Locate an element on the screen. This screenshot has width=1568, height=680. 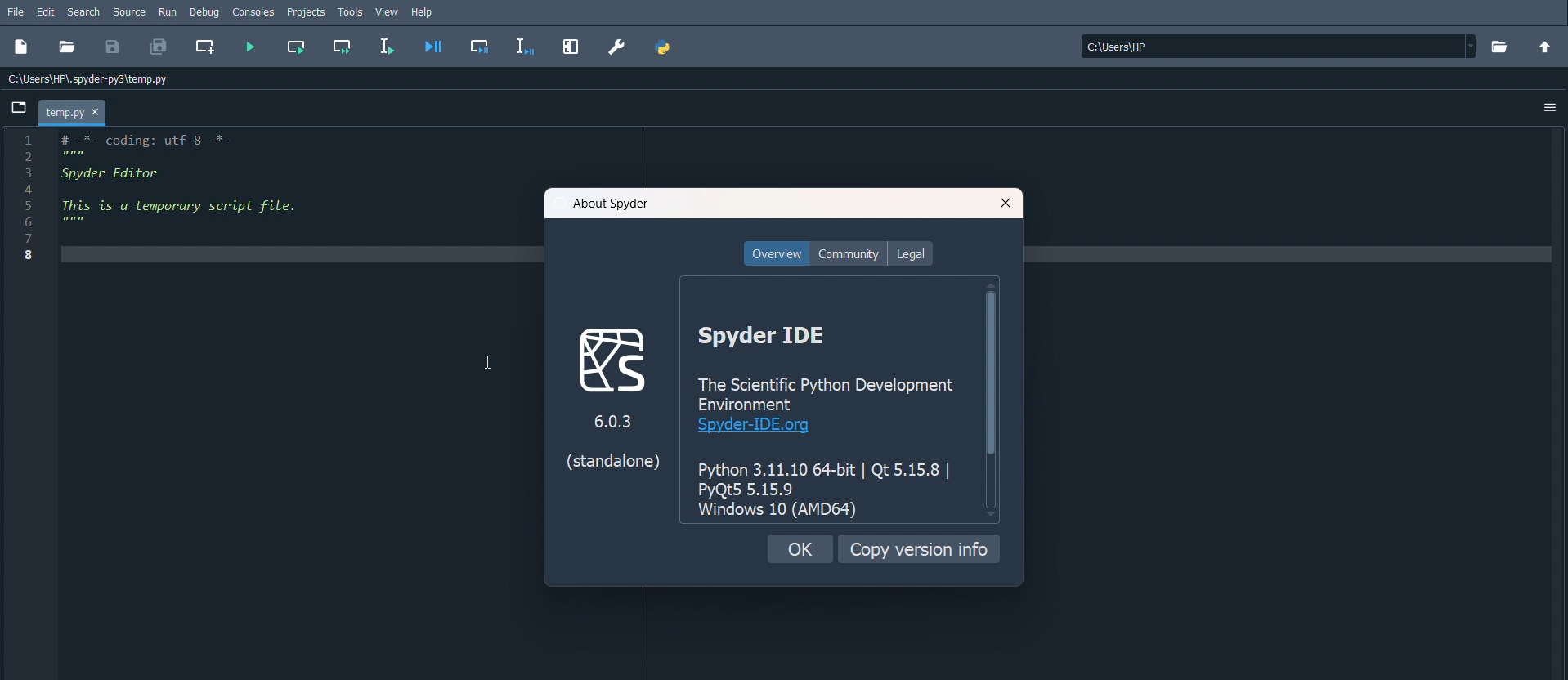
Cursor is located at coordinates (490, 361).